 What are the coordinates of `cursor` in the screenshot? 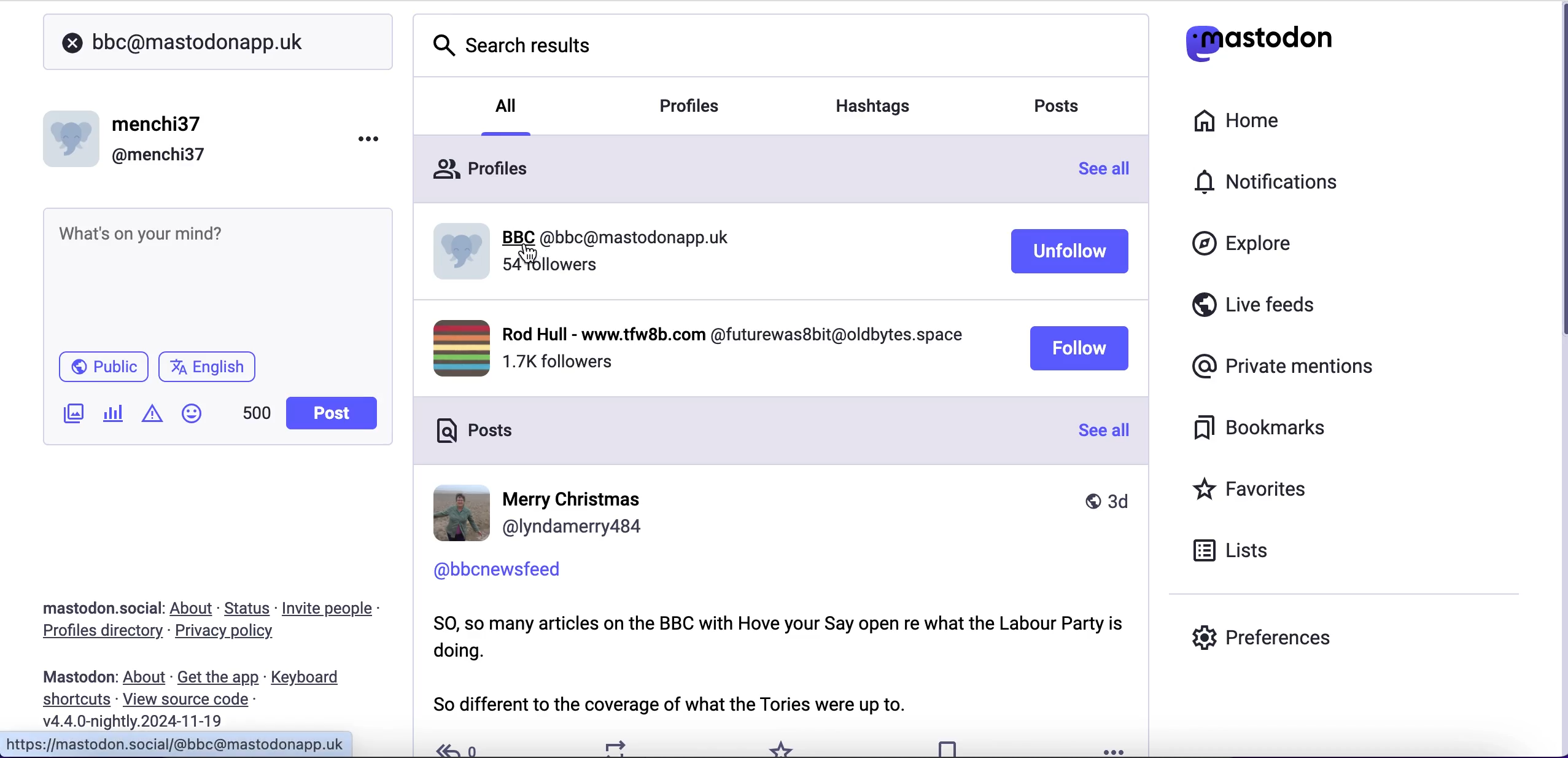 It's located at (529, 254).